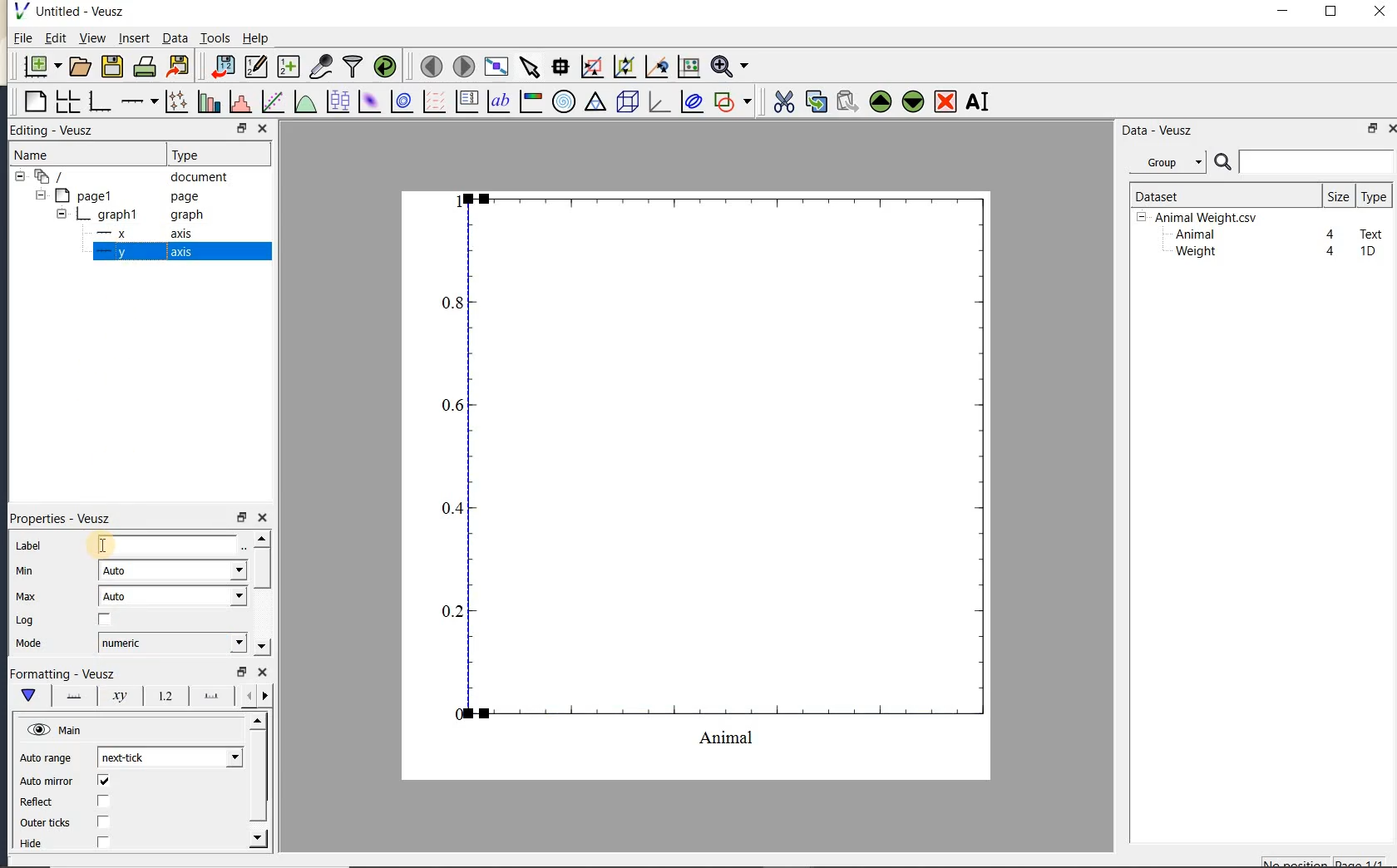  What do you see at coordinates (563, 101) in the screenshot?
I see `polar graph` at bounding box center [563, 101].